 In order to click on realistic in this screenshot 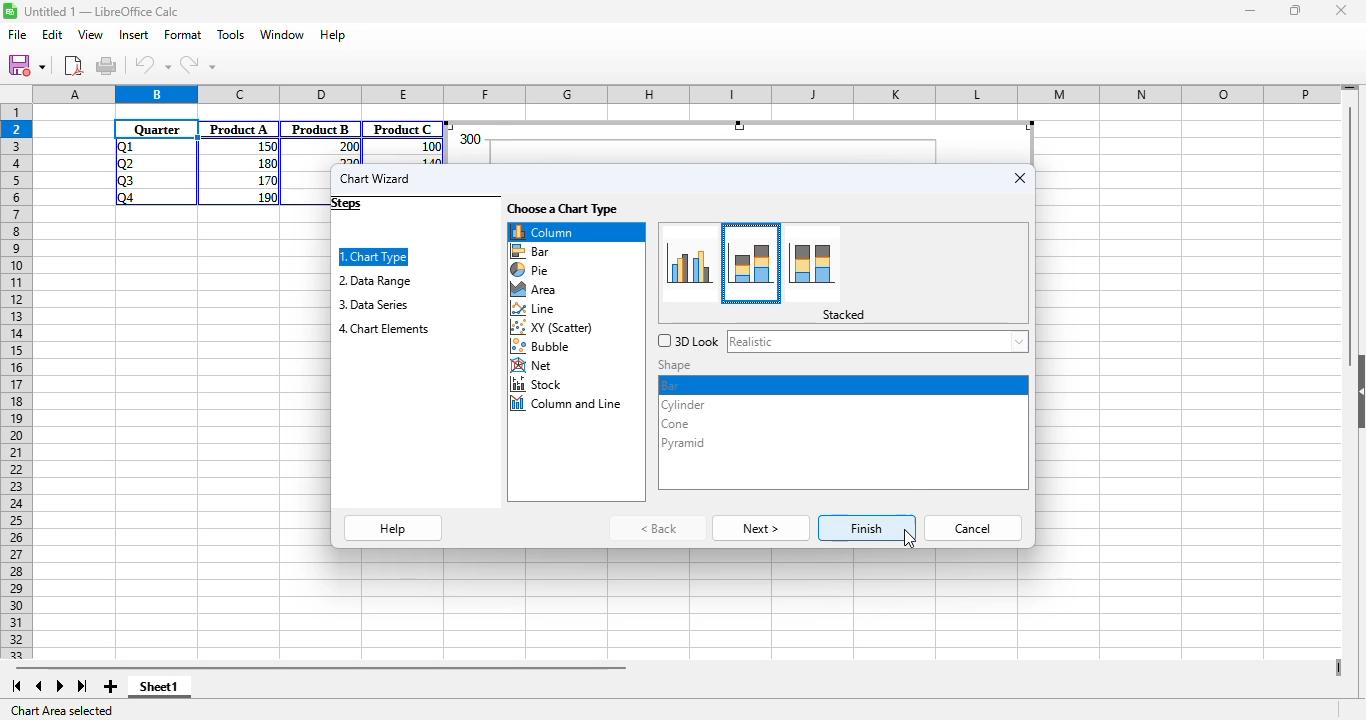, I will do `click(877, 341)`.